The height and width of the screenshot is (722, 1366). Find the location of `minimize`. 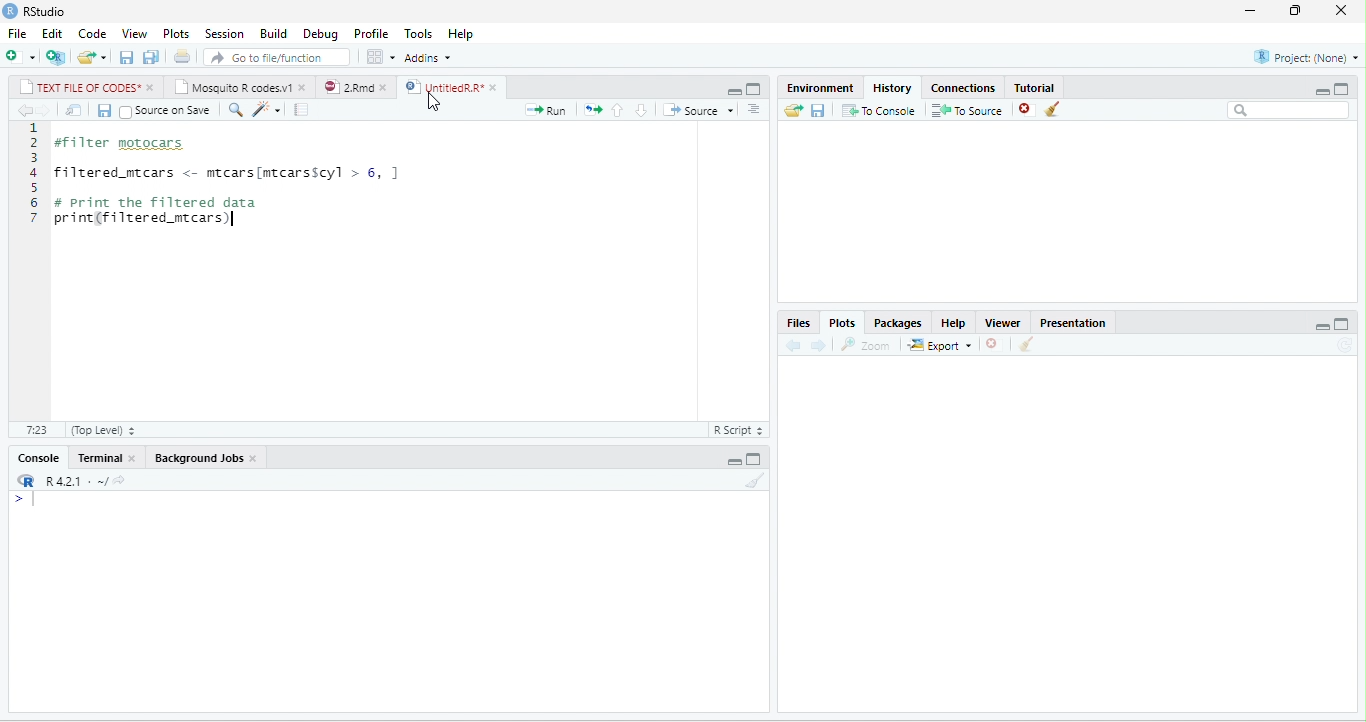

minimize is located at coordinates (1322, 326).